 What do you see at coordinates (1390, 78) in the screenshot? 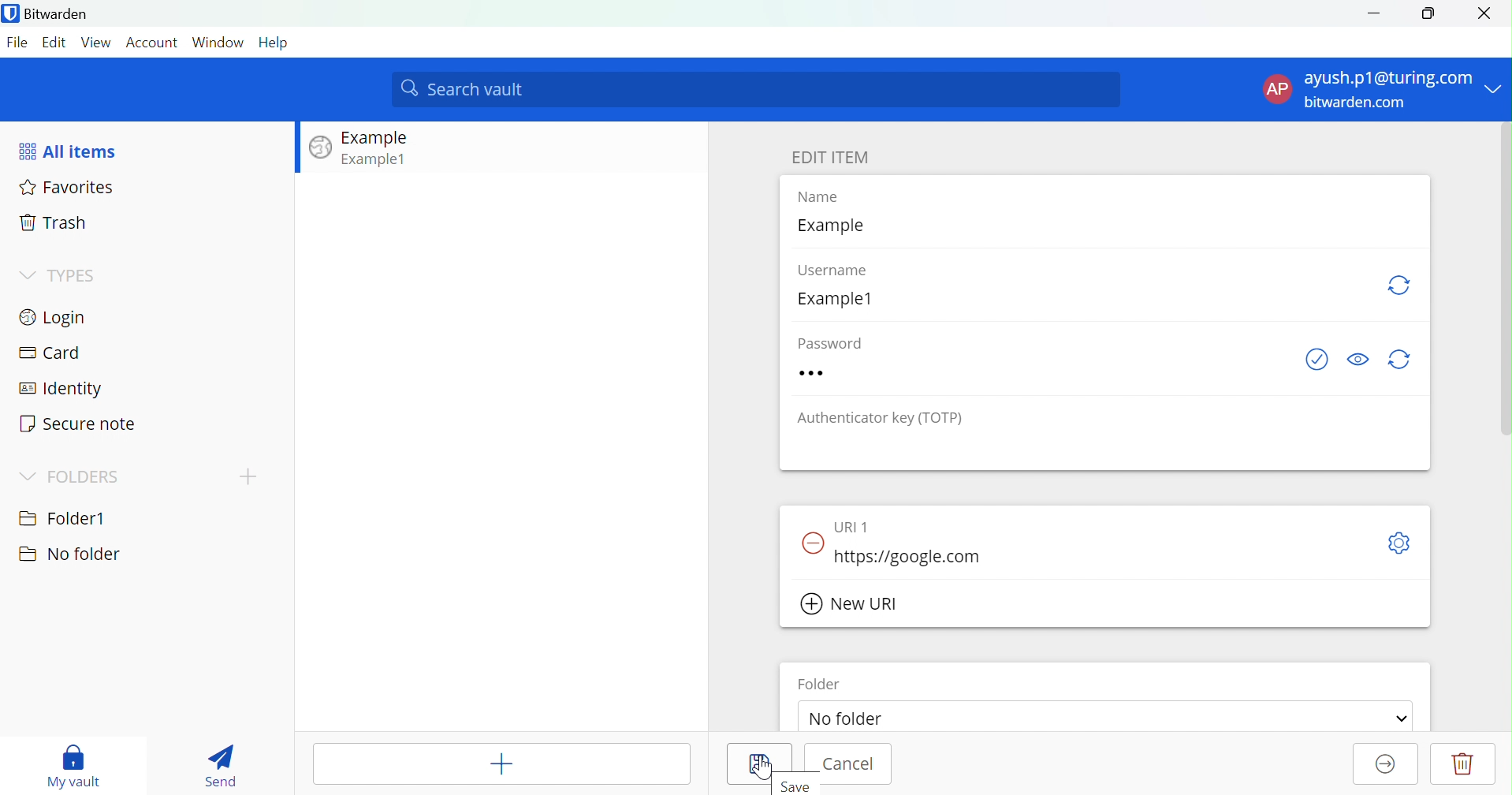
I see `ayush.p1@turing.com` at bounding box center [1390, 78].